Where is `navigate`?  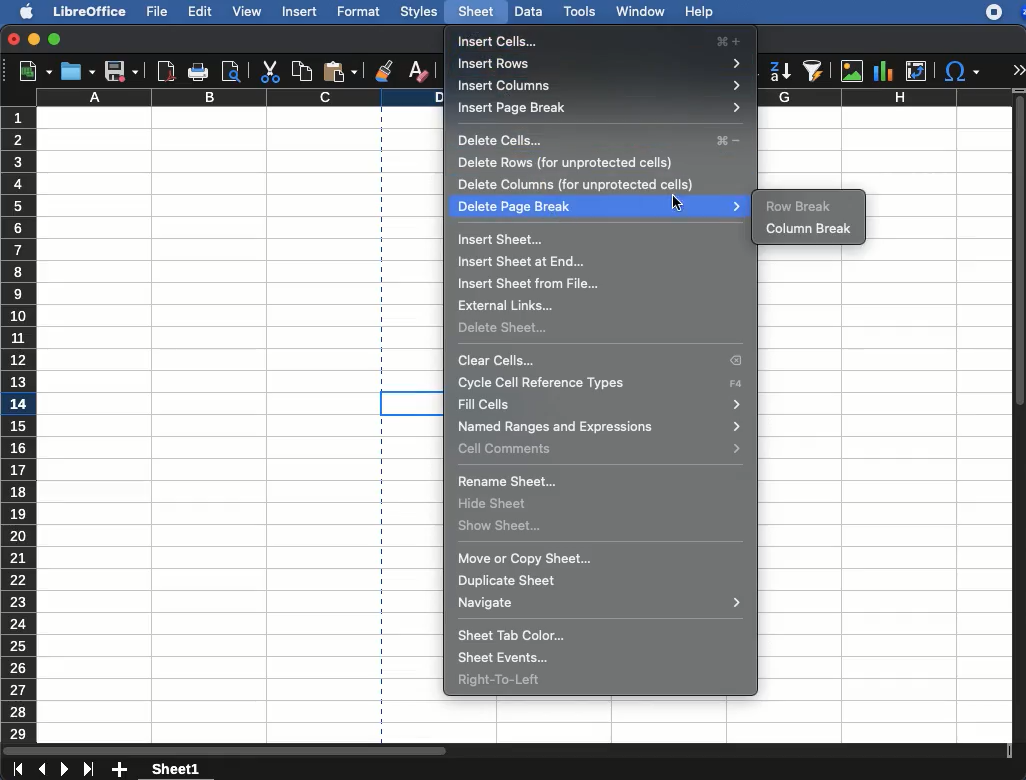 navigate is located at coordinates (598, 603).